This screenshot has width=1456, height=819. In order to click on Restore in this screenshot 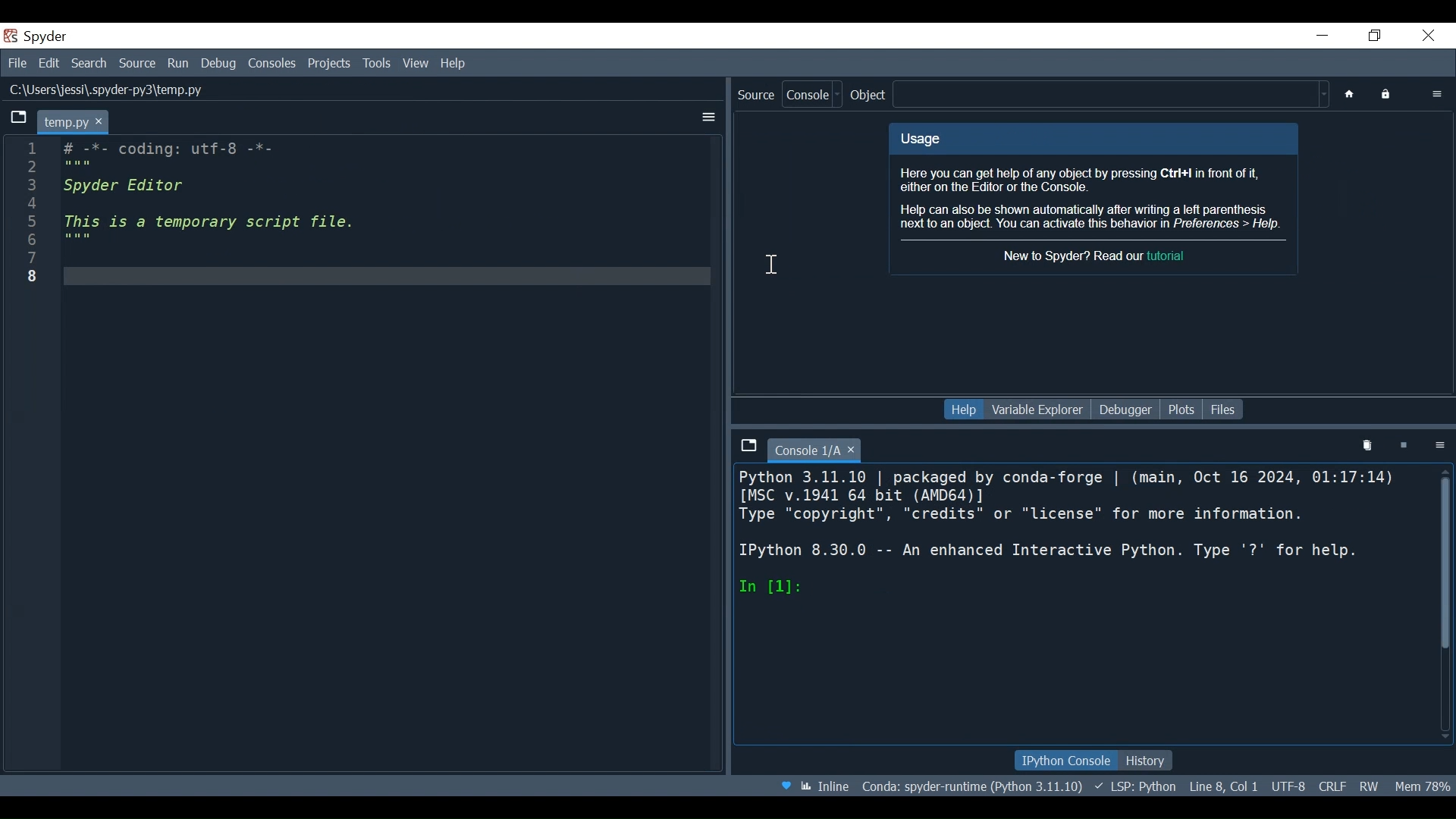, I will do `click(1372, 35)`.